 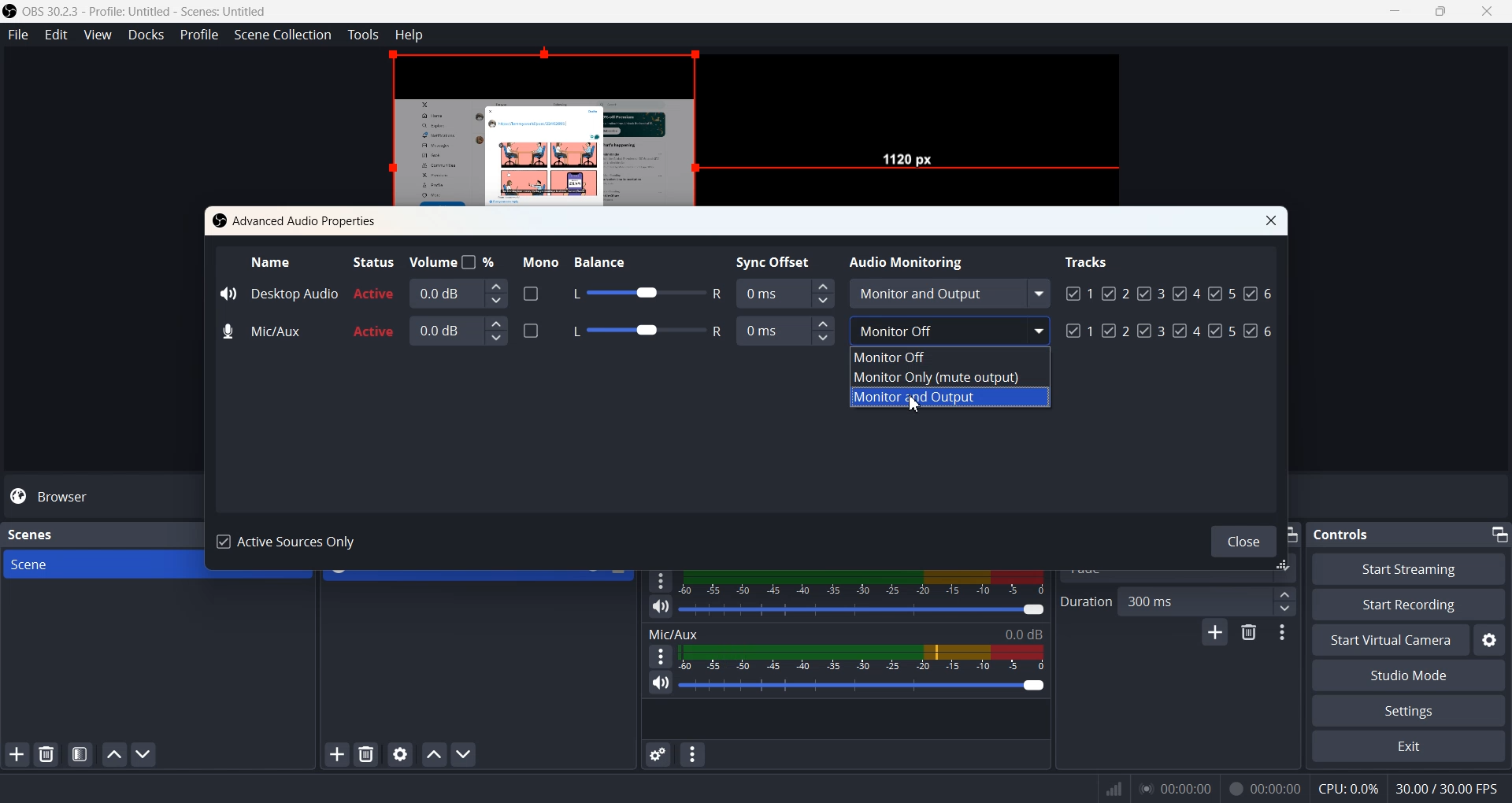 I want to click on Enabled/ disable Mono, so click(x=531, y=329).